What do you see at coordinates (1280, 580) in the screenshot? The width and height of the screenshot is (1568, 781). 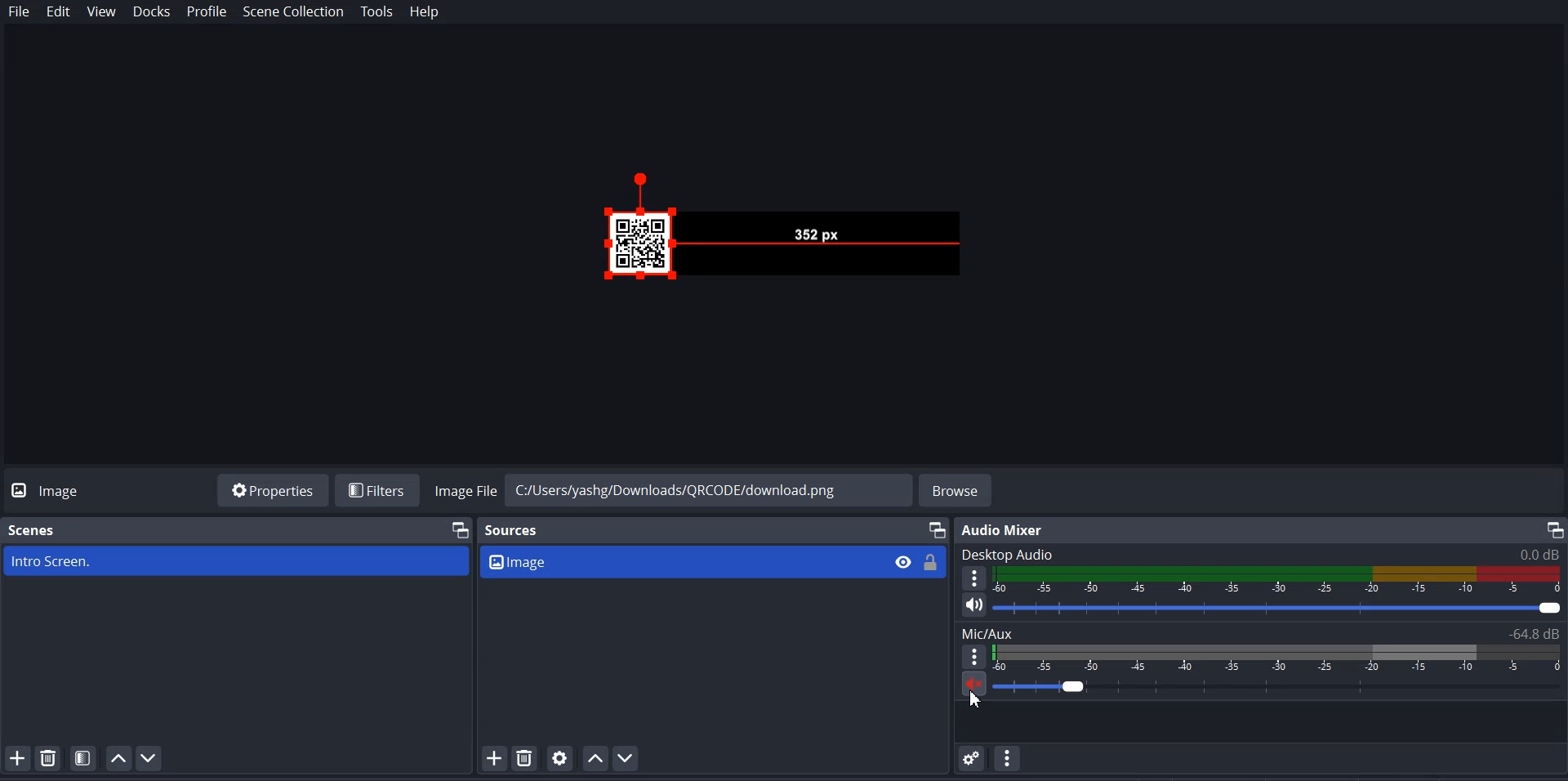 I see `Volume Indicators` at bounding box center [1280, 580].